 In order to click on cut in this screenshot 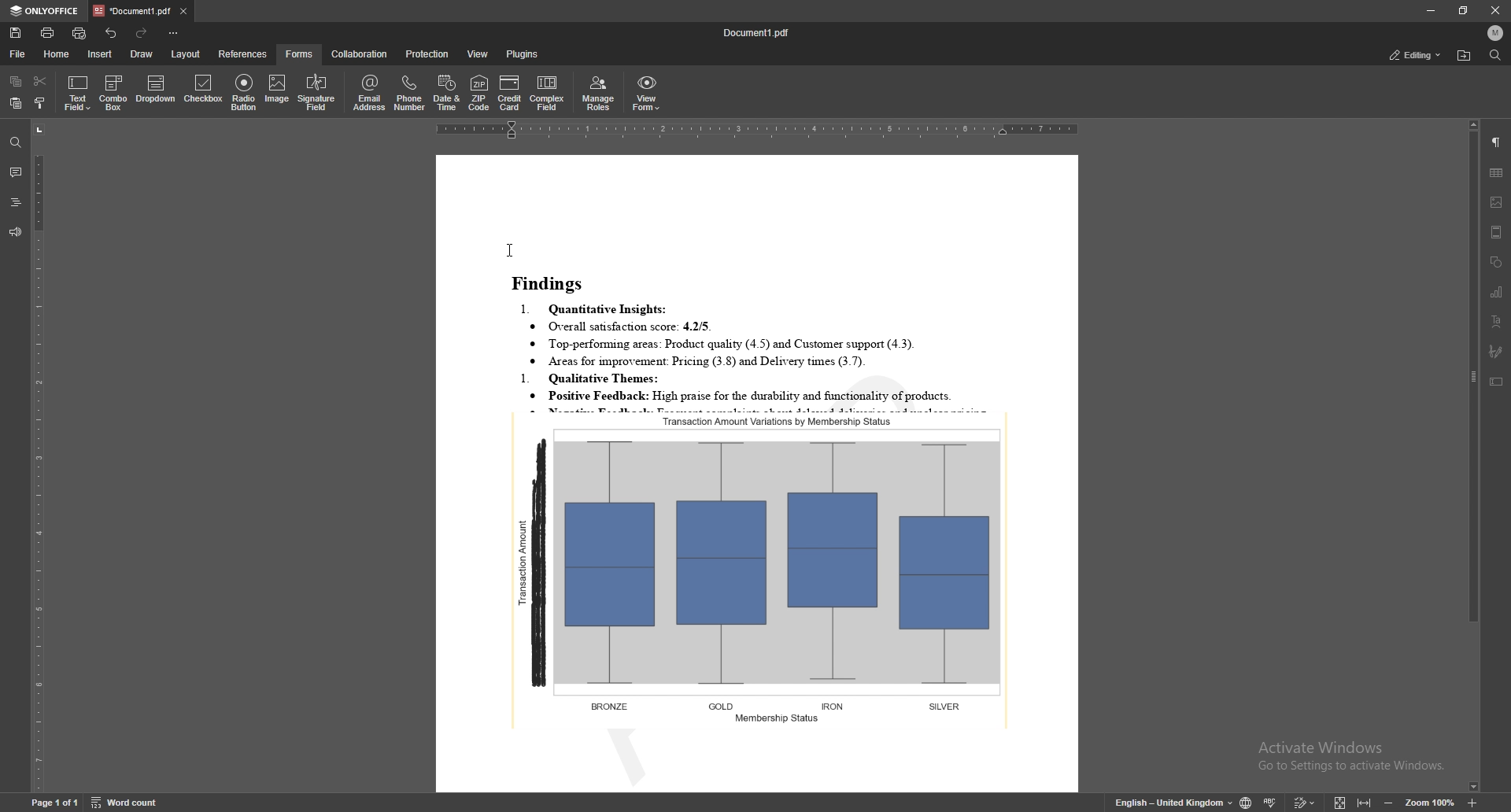, I will do `click(40, 79)`.